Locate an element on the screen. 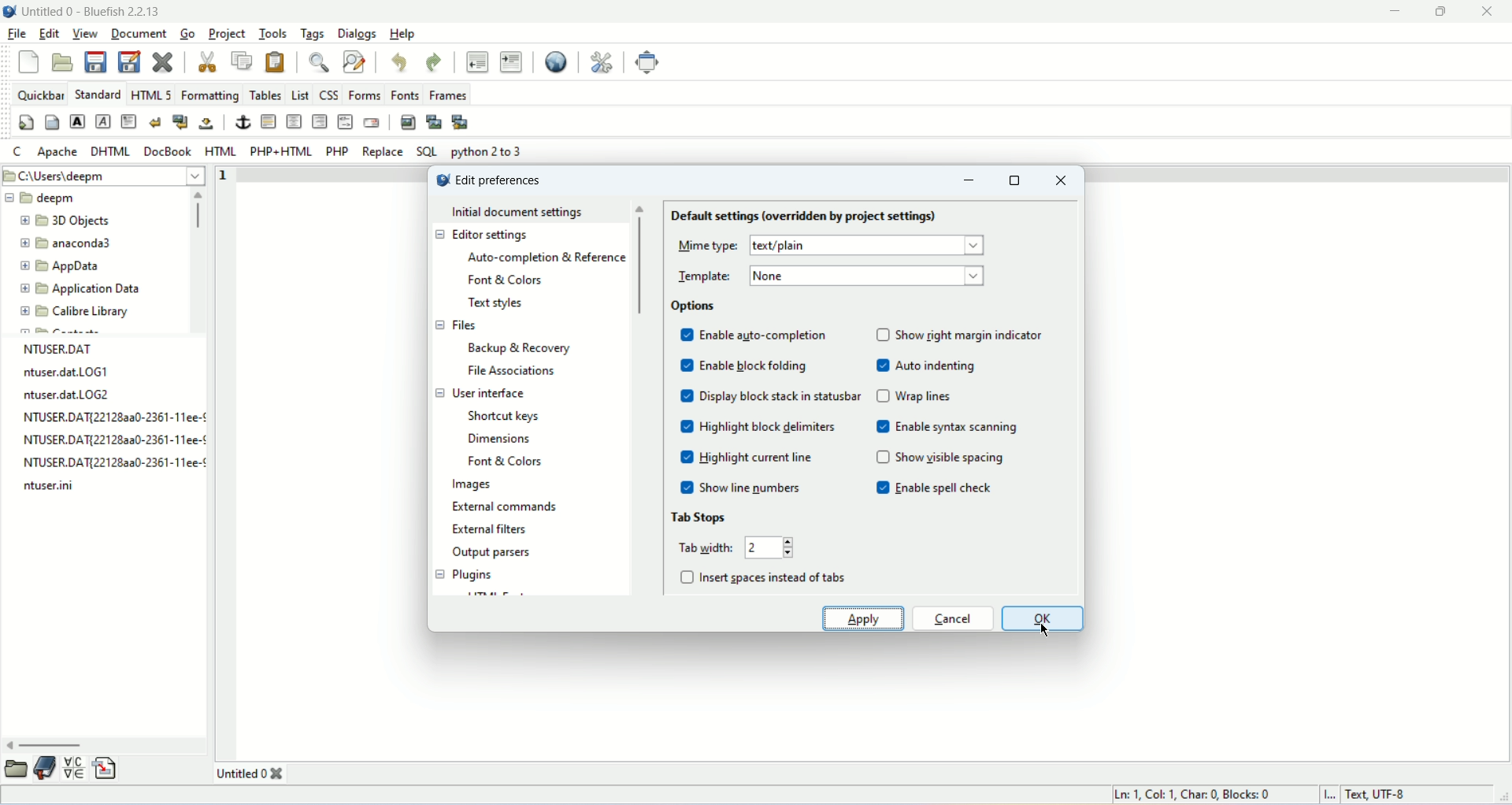 Image resolution: width=1512 pixels, height=805 pixels. initial document settings is located at coordinates (531, 213).